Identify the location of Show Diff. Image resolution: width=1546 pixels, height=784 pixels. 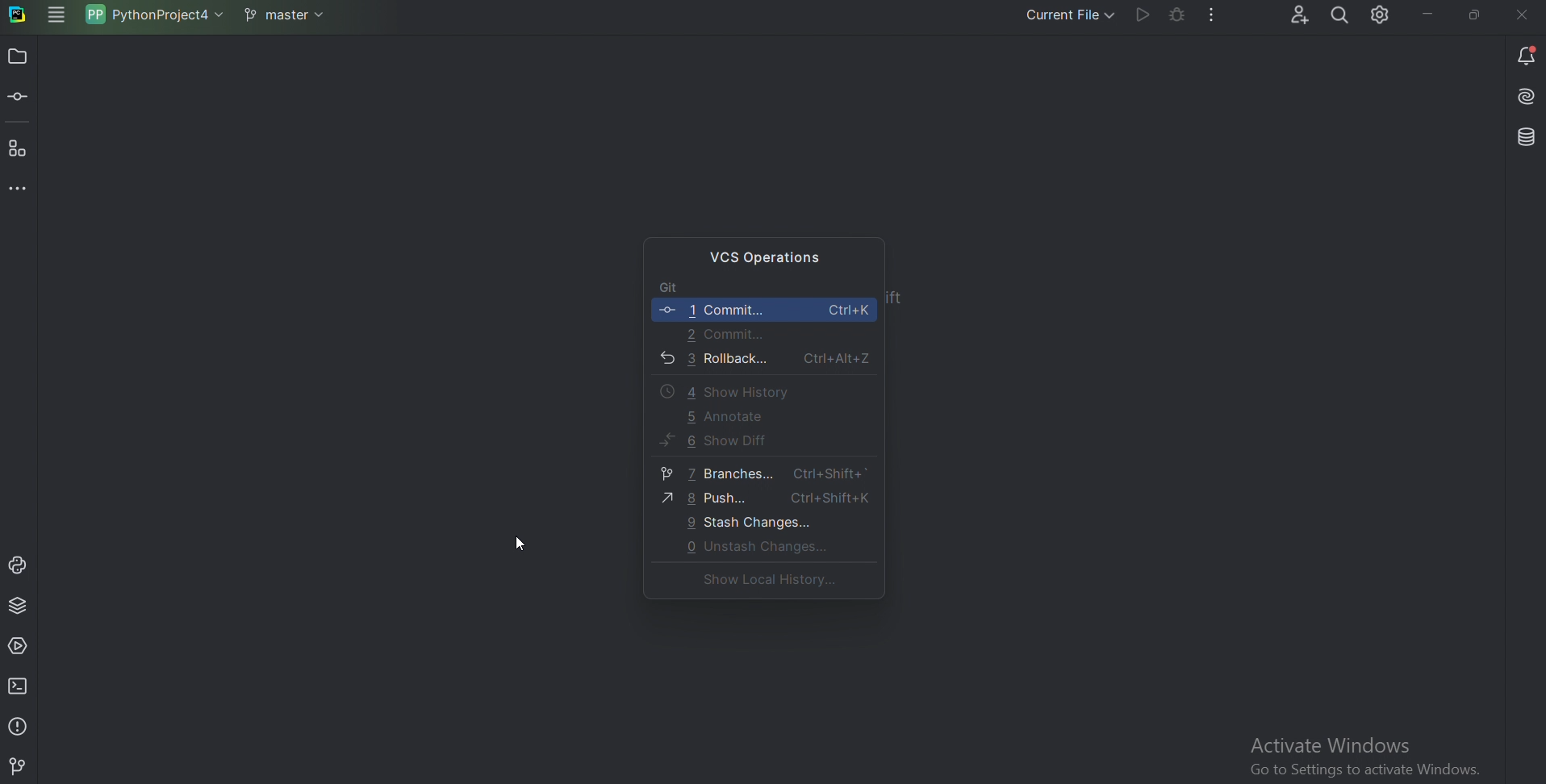
(713, 444).